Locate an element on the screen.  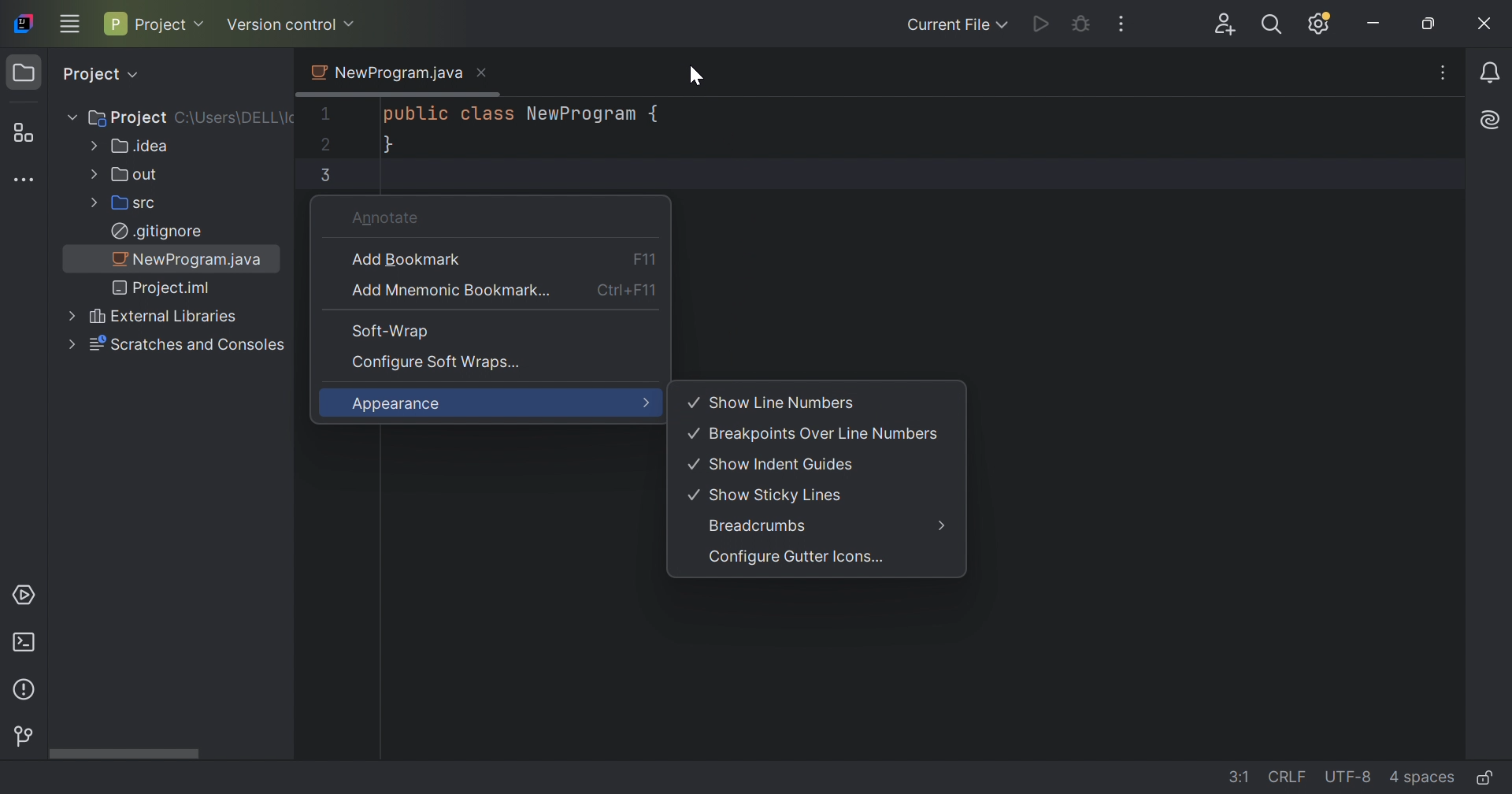
Minimize is located at coordinates (1374, 24).